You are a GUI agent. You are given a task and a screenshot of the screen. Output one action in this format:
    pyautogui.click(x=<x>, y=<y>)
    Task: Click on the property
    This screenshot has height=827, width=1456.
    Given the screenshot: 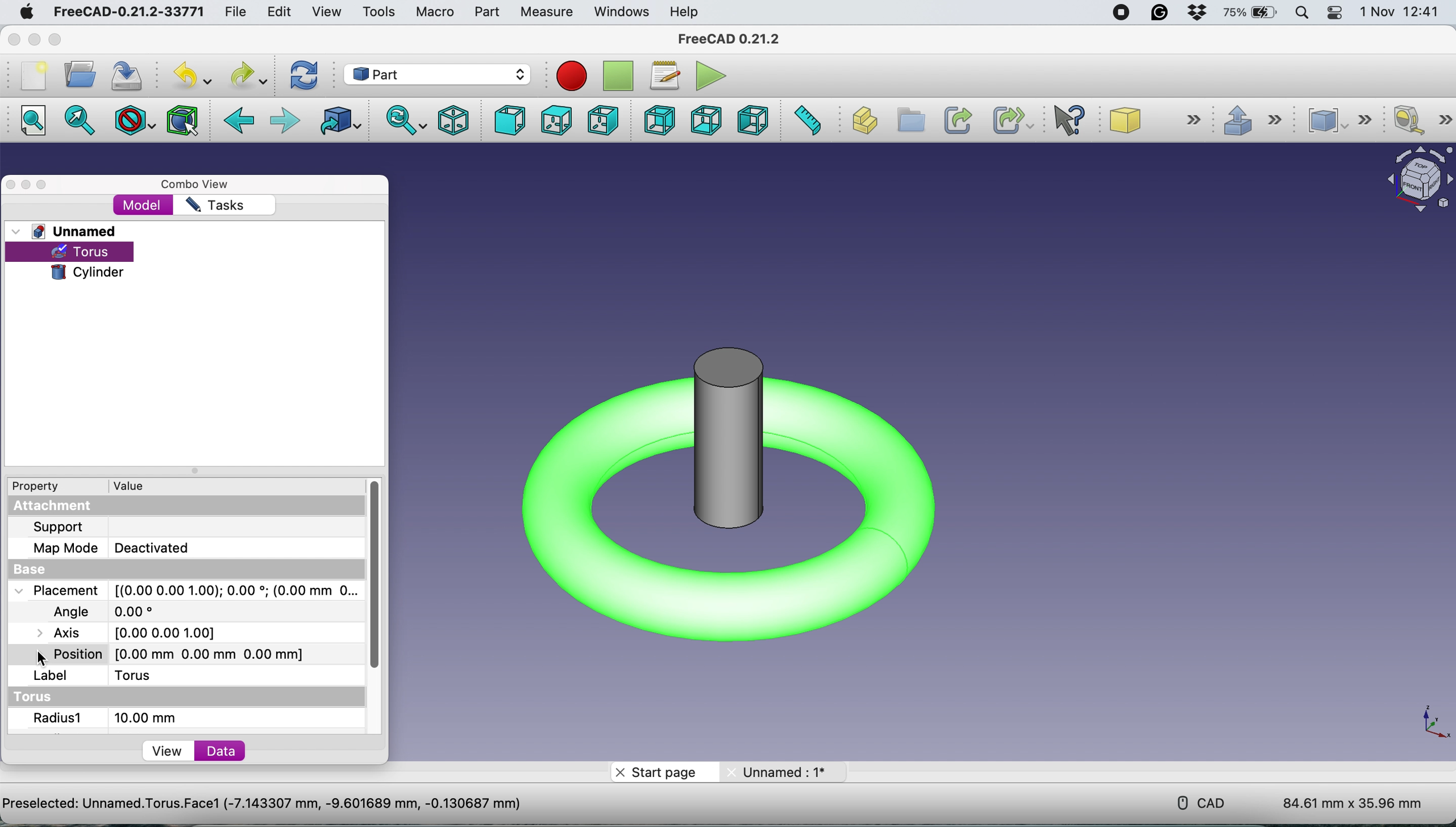 What is the action you would take?
    pyautogui.click(x=40, y=486)
    